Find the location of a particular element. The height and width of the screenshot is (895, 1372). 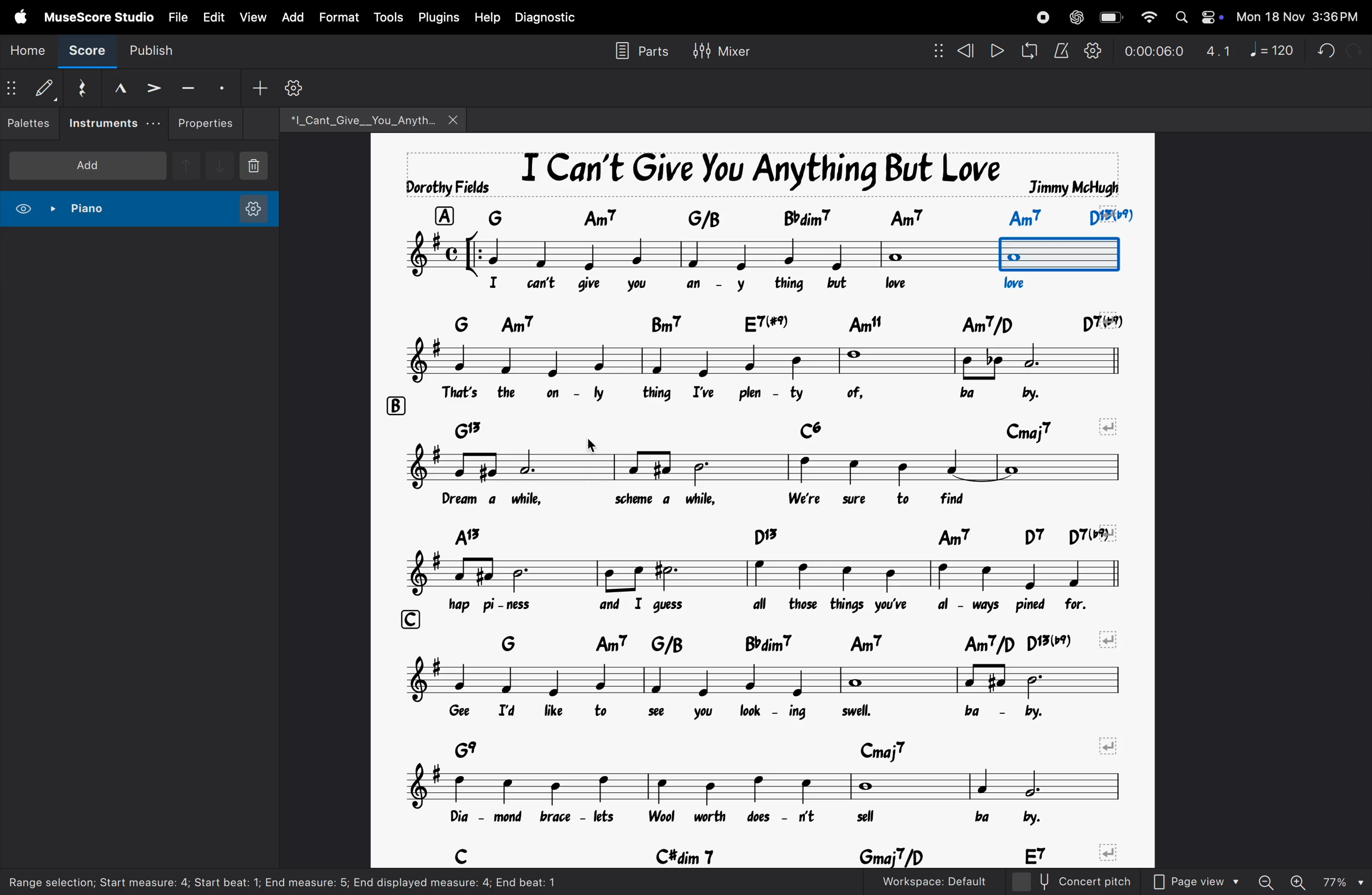

apple widgets is located at coordinates (1196, 17).